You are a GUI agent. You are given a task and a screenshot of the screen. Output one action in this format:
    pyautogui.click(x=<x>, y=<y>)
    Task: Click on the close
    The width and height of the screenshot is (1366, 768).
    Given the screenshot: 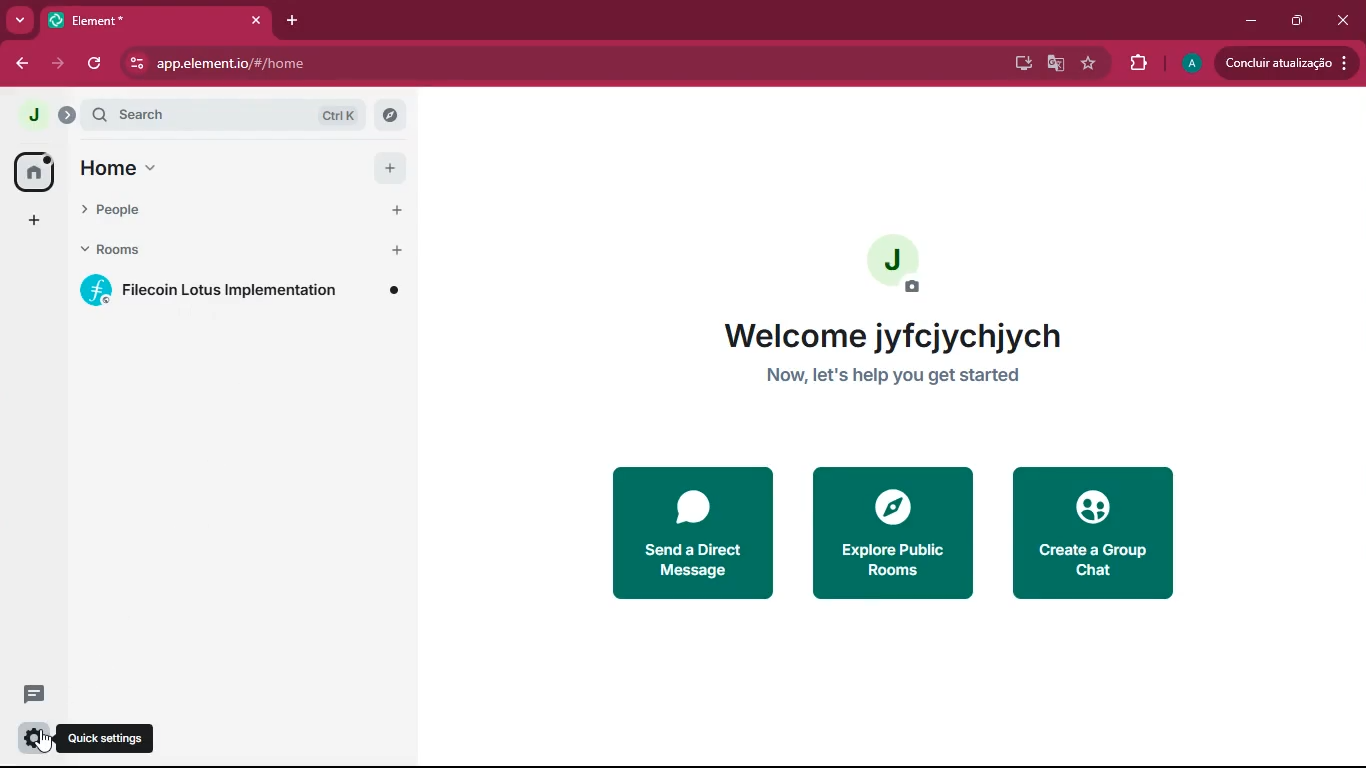 What is the action you would take?
    pyautogui.click(x=1340, y=19)
    